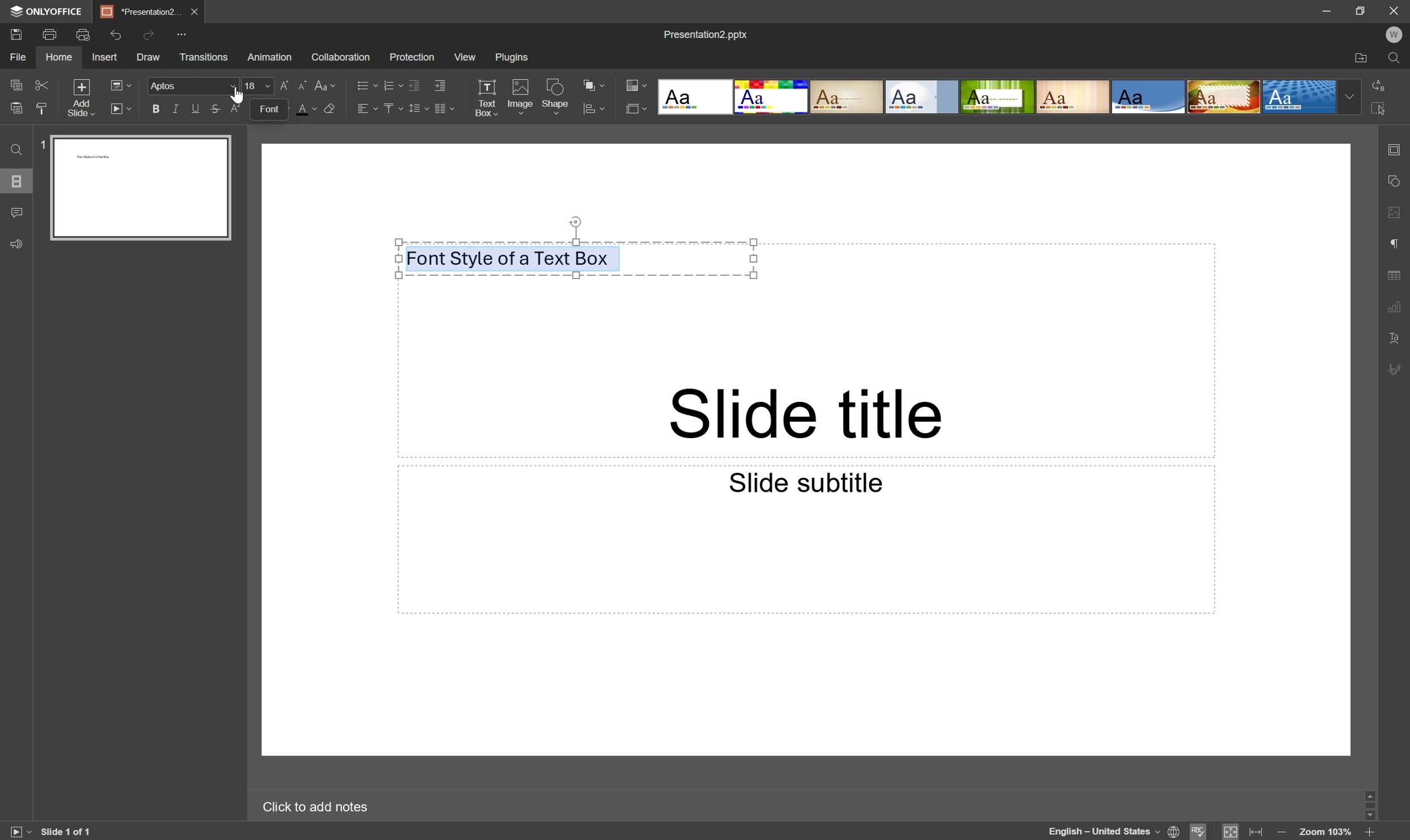  Describe the element at coordinates (1398, 211) in the screenshot. I see `Image settings` at that location.